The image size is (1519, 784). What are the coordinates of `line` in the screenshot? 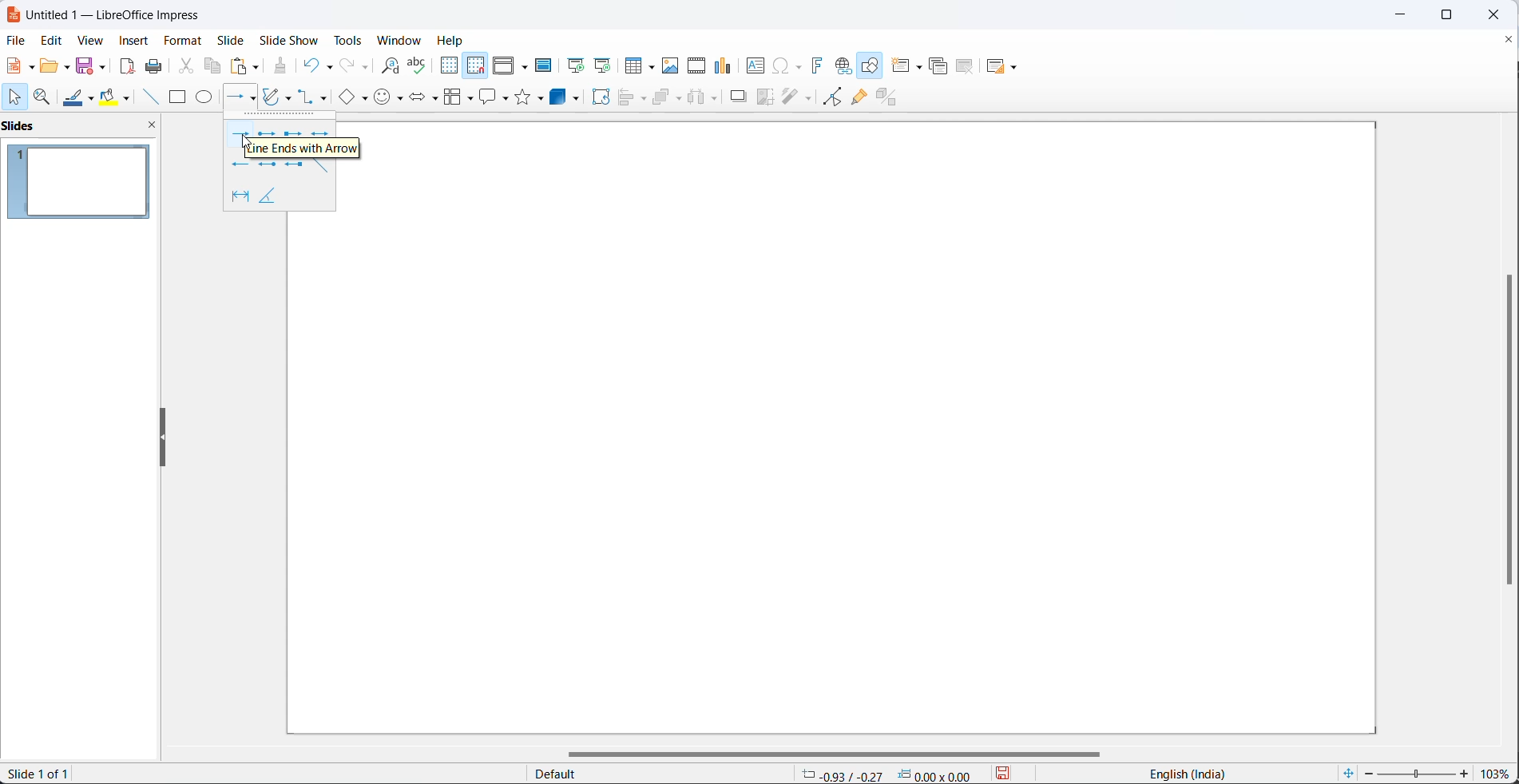 It's located at (147, 97).